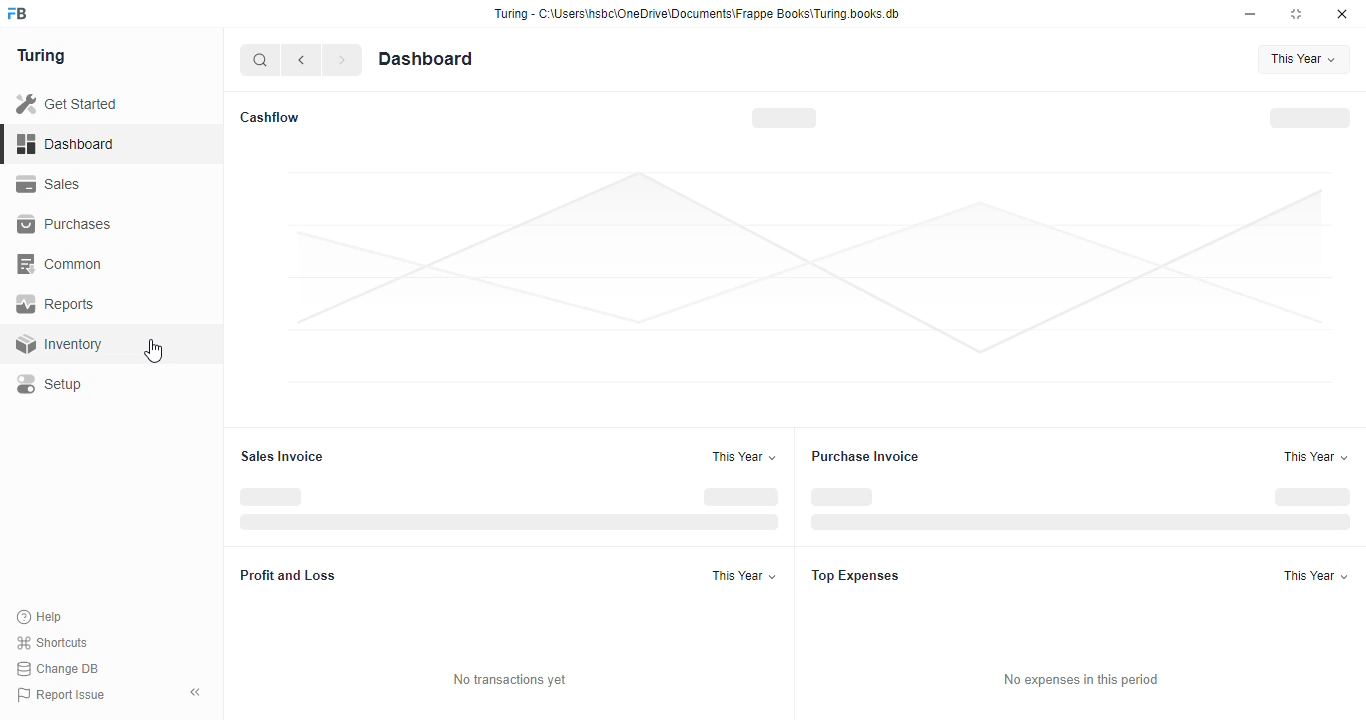 The height and width of the screenshot is (720, 1366). Describe the element at coordinates (57, 303) in the screenshot. I see `reports` at that location.